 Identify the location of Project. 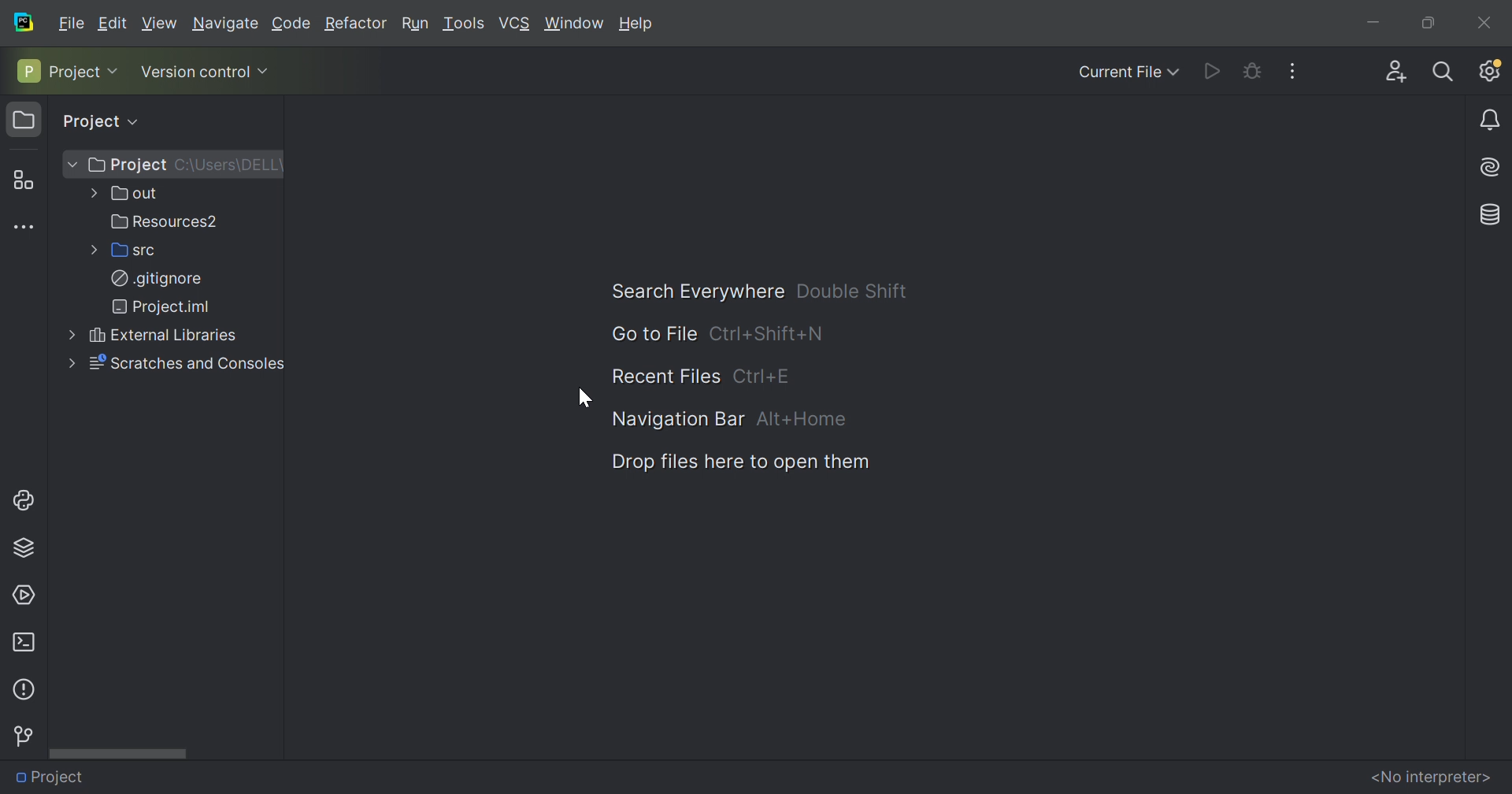
(87, 123).